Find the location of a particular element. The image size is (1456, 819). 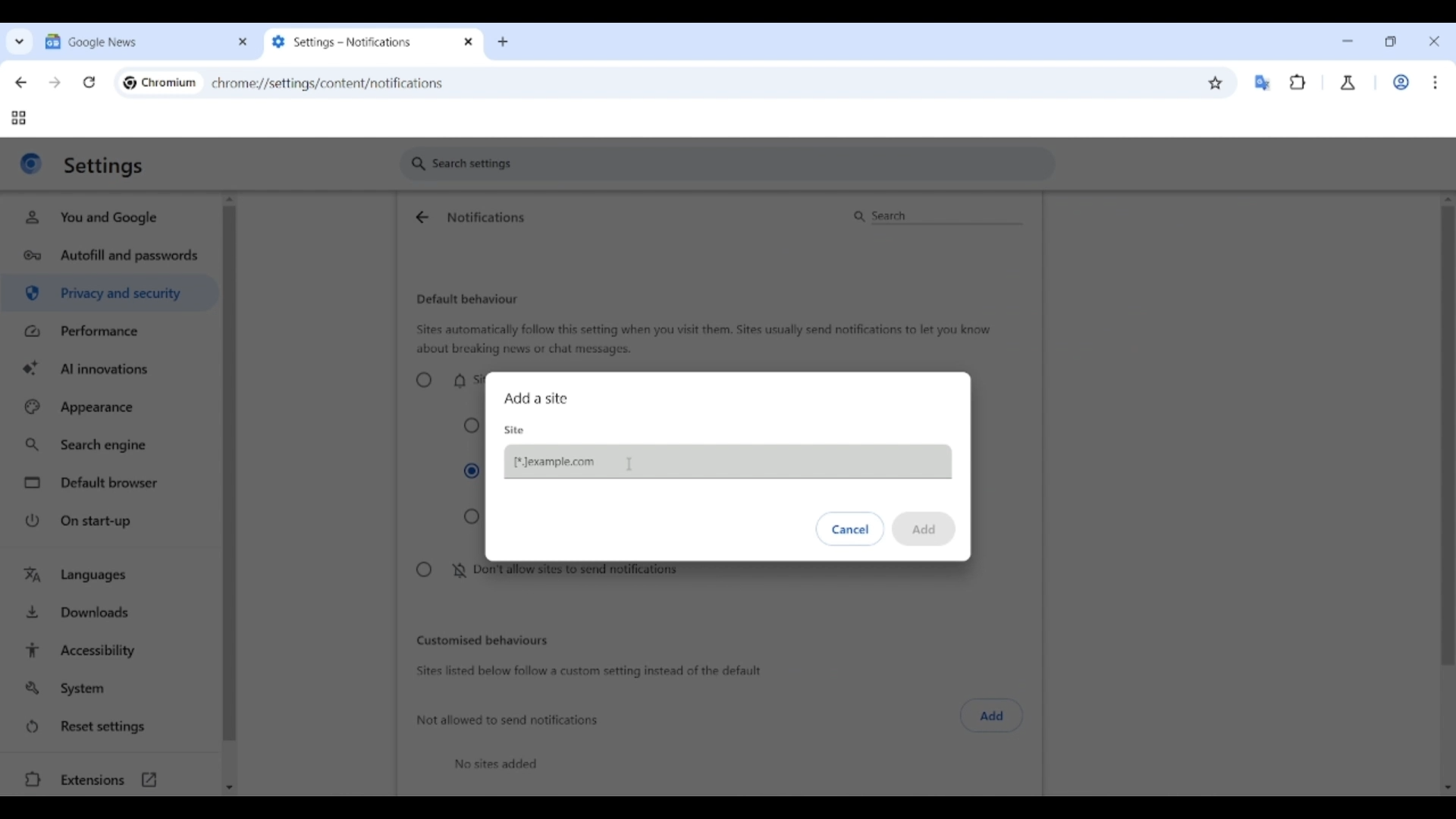

Close tab 2 is located at coordinates (469, 42).